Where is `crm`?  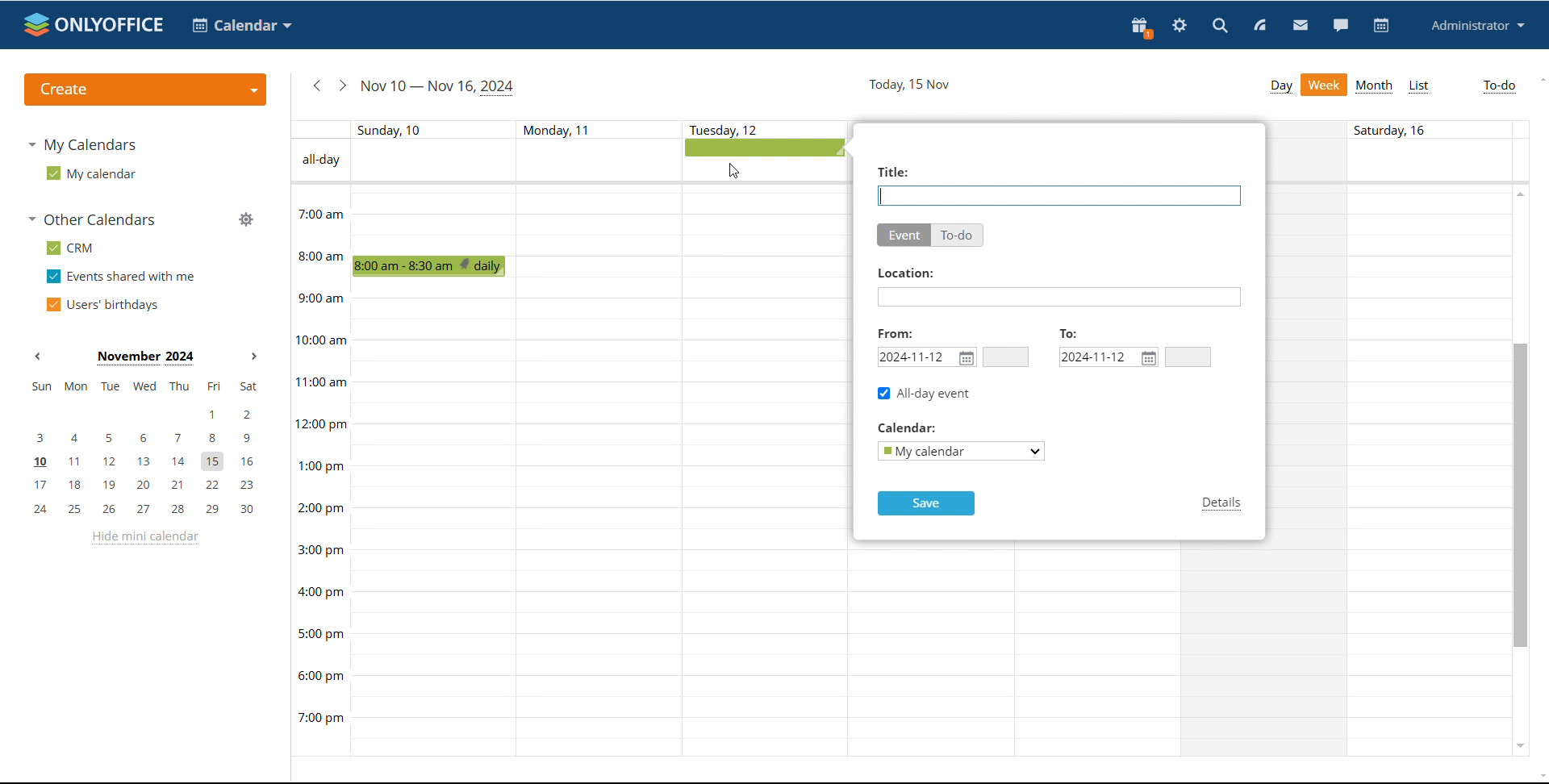
crm is located at coordinates (70, 248).